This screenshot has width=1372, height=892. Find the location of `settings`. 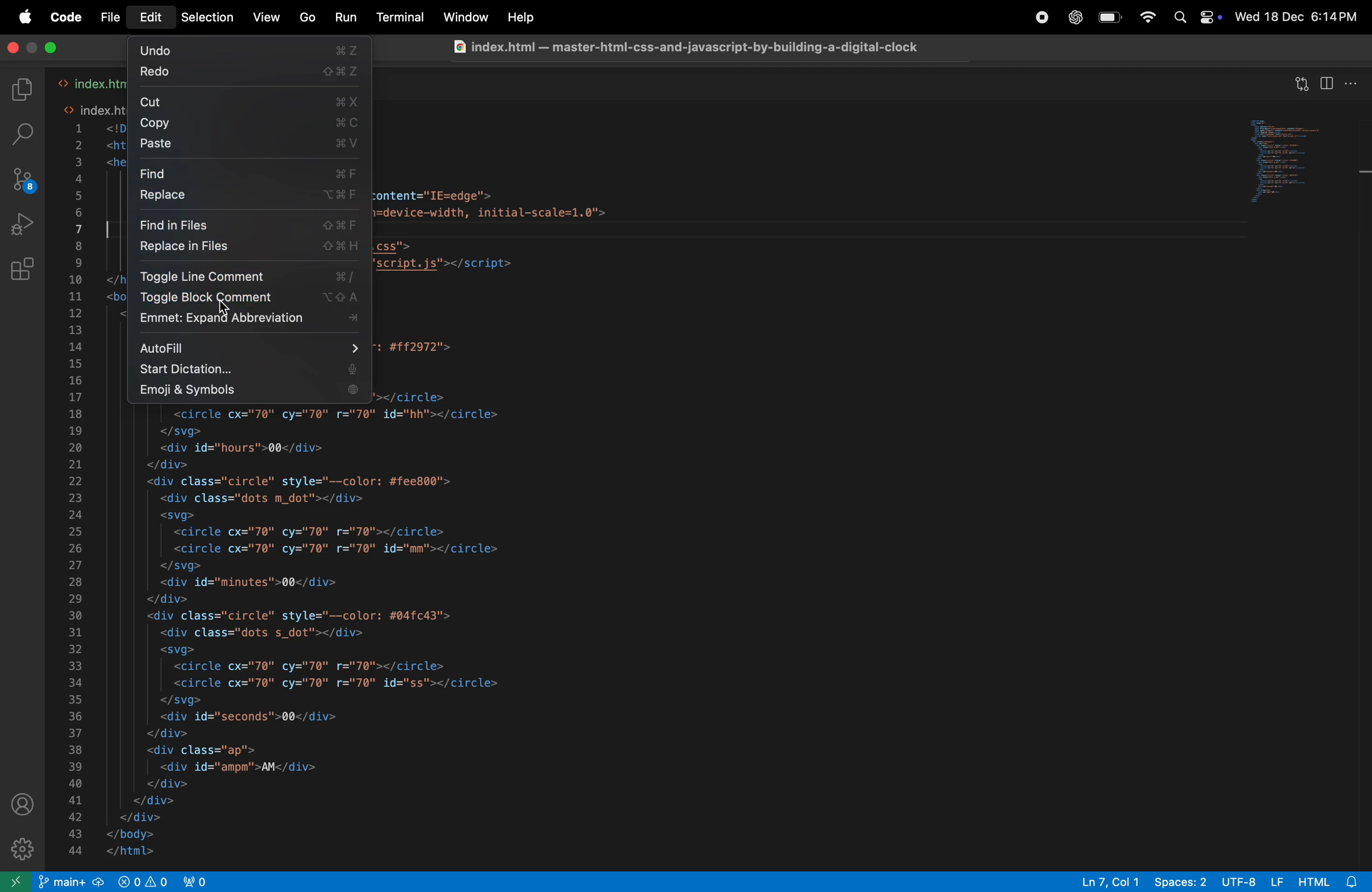

settings is located at coordinates (20, 850).